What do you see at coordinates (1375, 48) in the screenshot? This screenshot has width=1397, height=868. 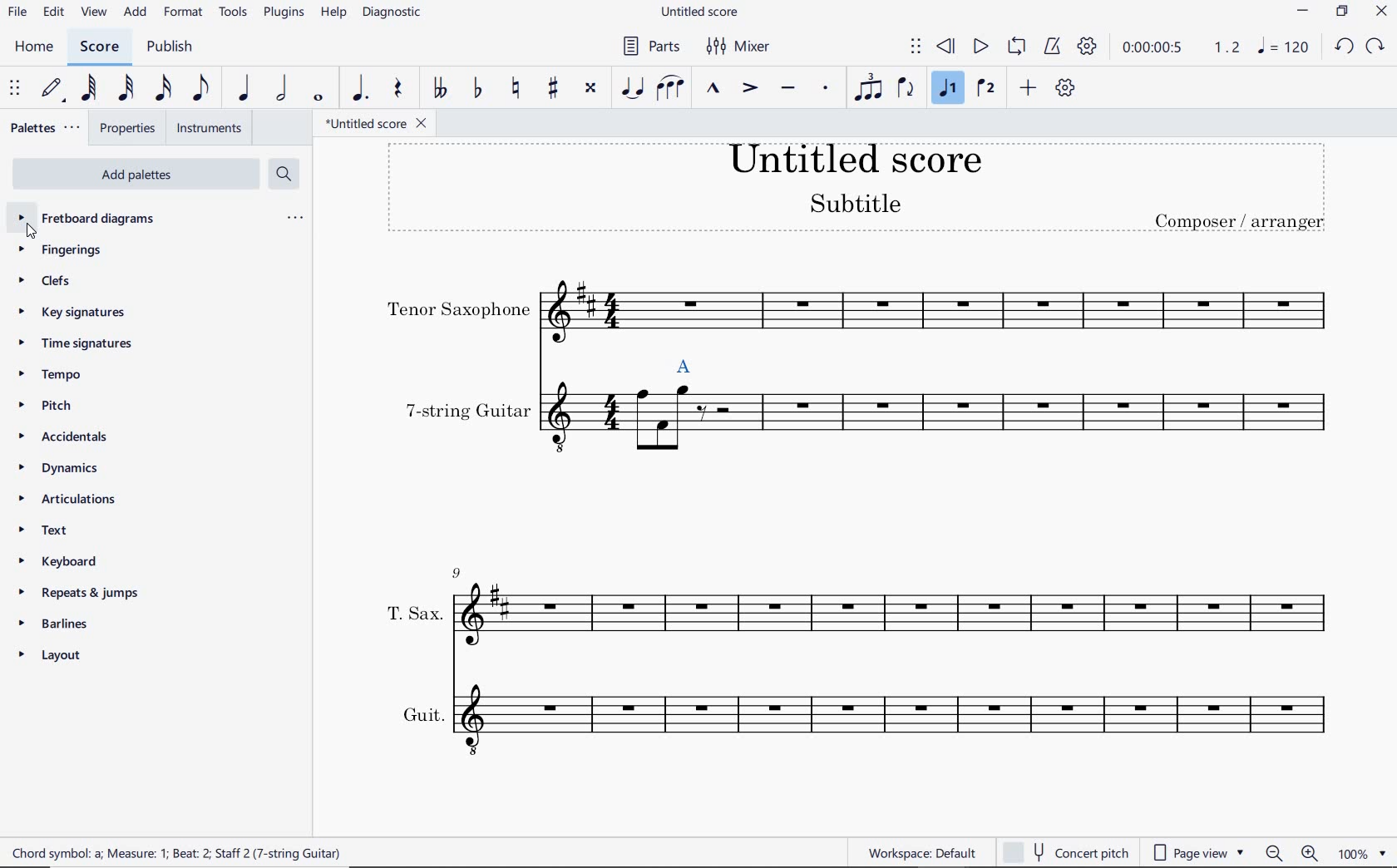 I see `REDO` at bounding box center [1375, 48].